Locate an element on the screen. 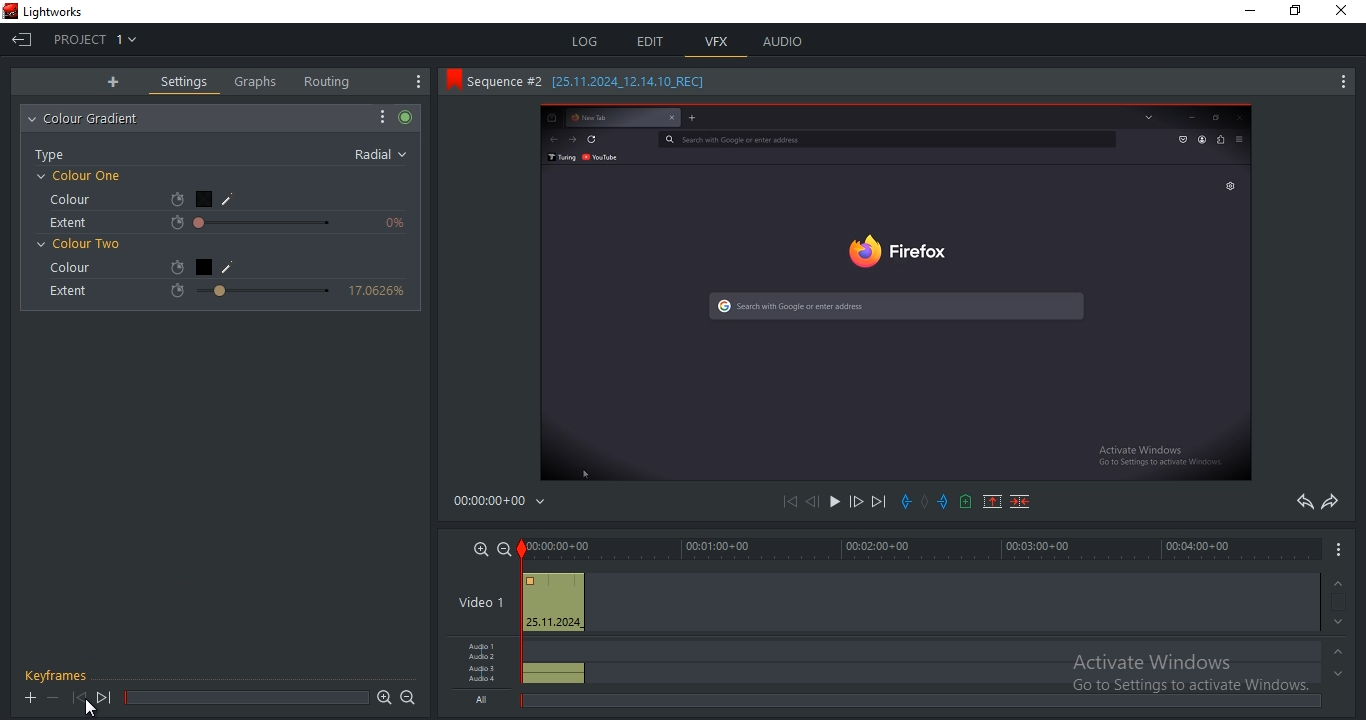  Show: Project 1 is located at coordinates (99, 39).